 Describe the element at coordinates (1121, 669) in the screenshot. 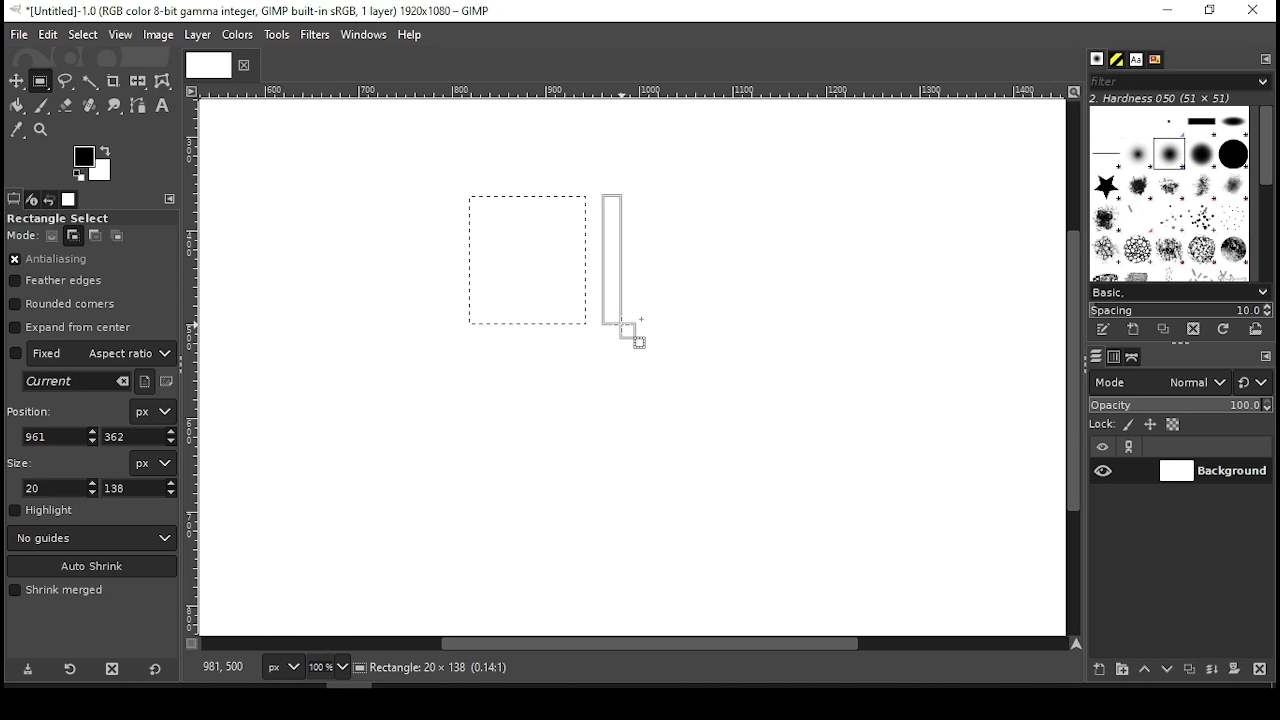

I see `new layer group  ` at that location.